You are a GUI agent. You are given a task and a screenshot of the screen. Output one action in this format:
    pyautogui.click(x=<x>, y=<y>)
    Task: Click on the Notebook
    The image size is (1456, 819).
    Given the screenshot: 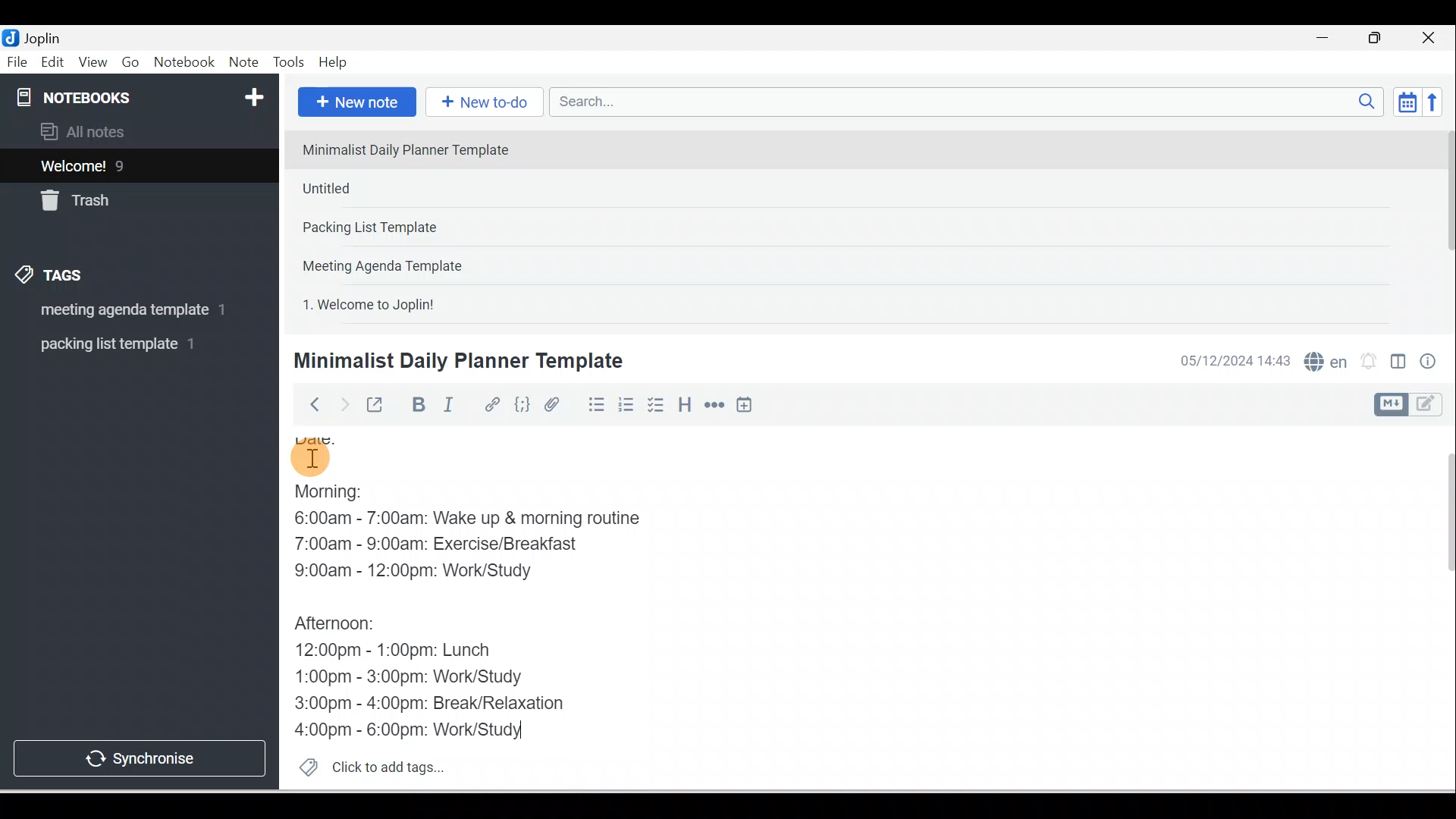 What is the action you would take?
    pyautogui.click(x=184, y=63)
    